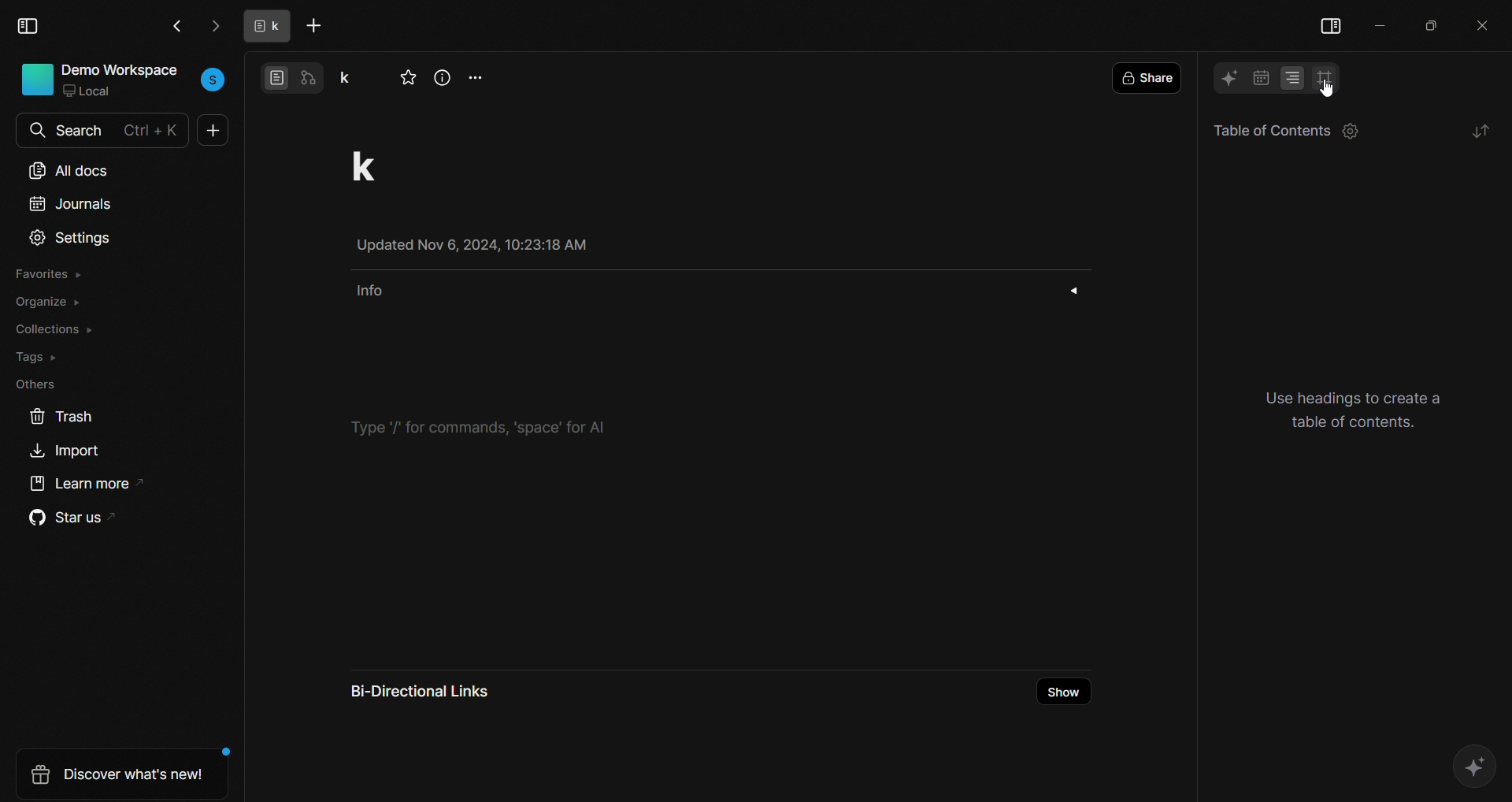 This screenshot has height=802, width=1512. What do you see at coordinates (486, 245) in the screenshot?
I see `Updated Nov 6, 2024, 10:23:18 AM` at bounding box center [486, 245].